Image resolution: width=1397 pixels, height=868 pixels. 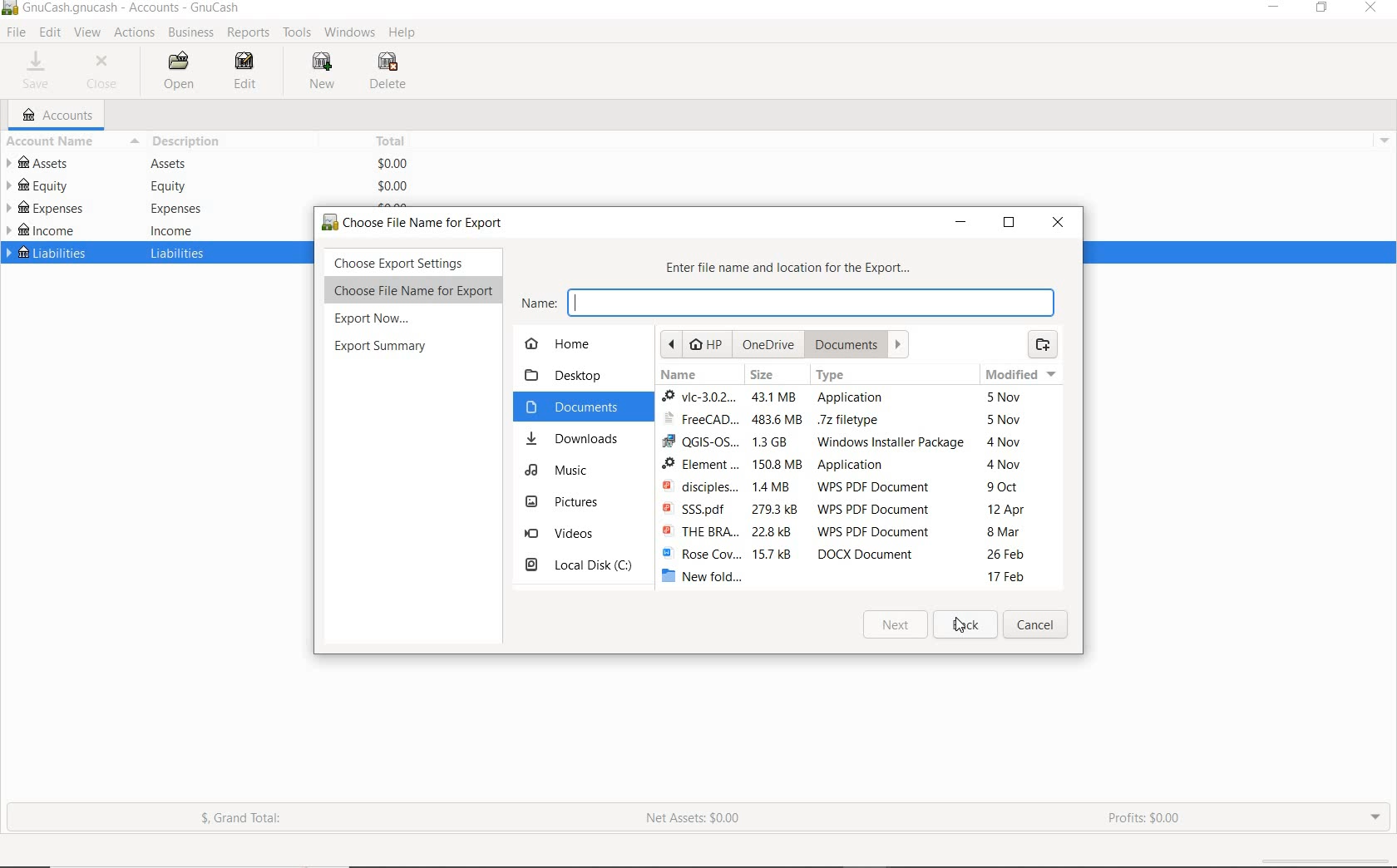 What do you see at coordinates (570, 501) in the screenshot?
I see `pictures` at bounding box center [570, 501].